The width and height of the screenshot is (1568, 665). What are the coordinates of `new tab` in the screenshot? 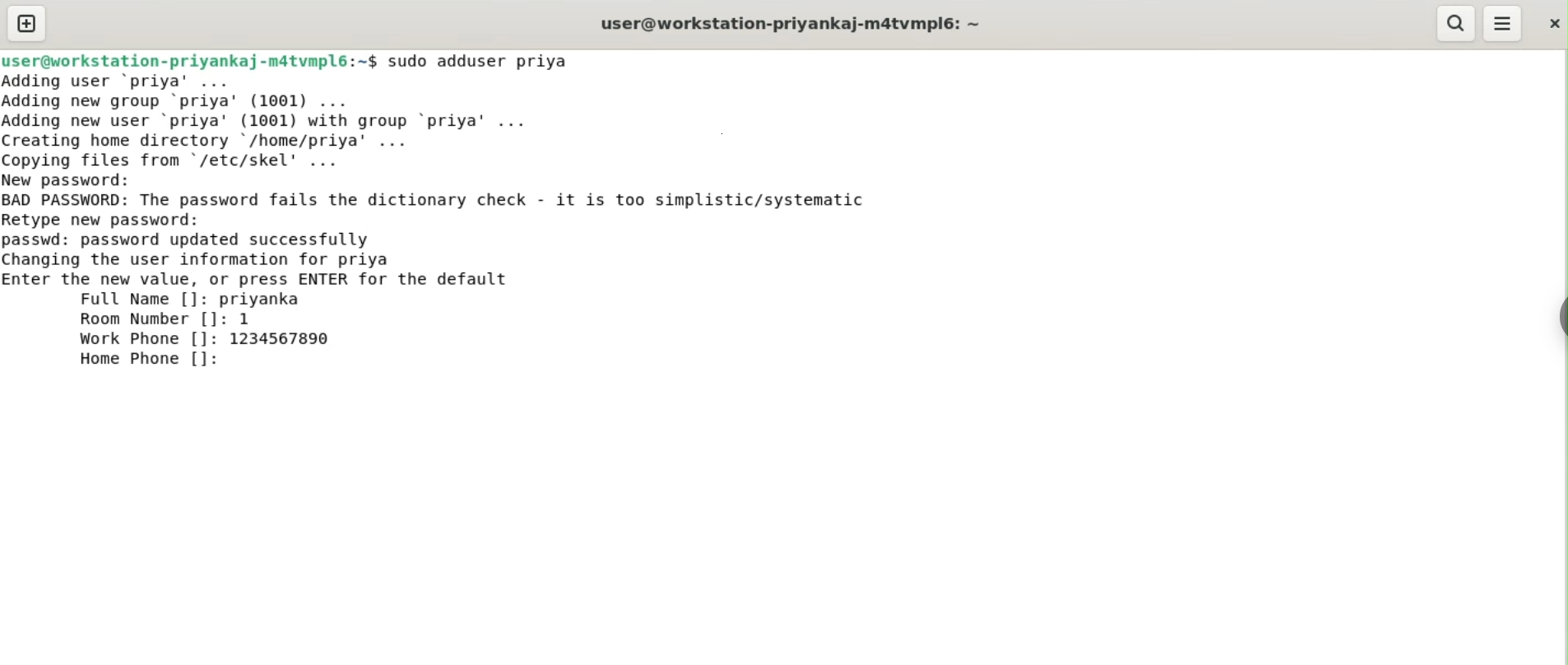 It's located at (27, 23).